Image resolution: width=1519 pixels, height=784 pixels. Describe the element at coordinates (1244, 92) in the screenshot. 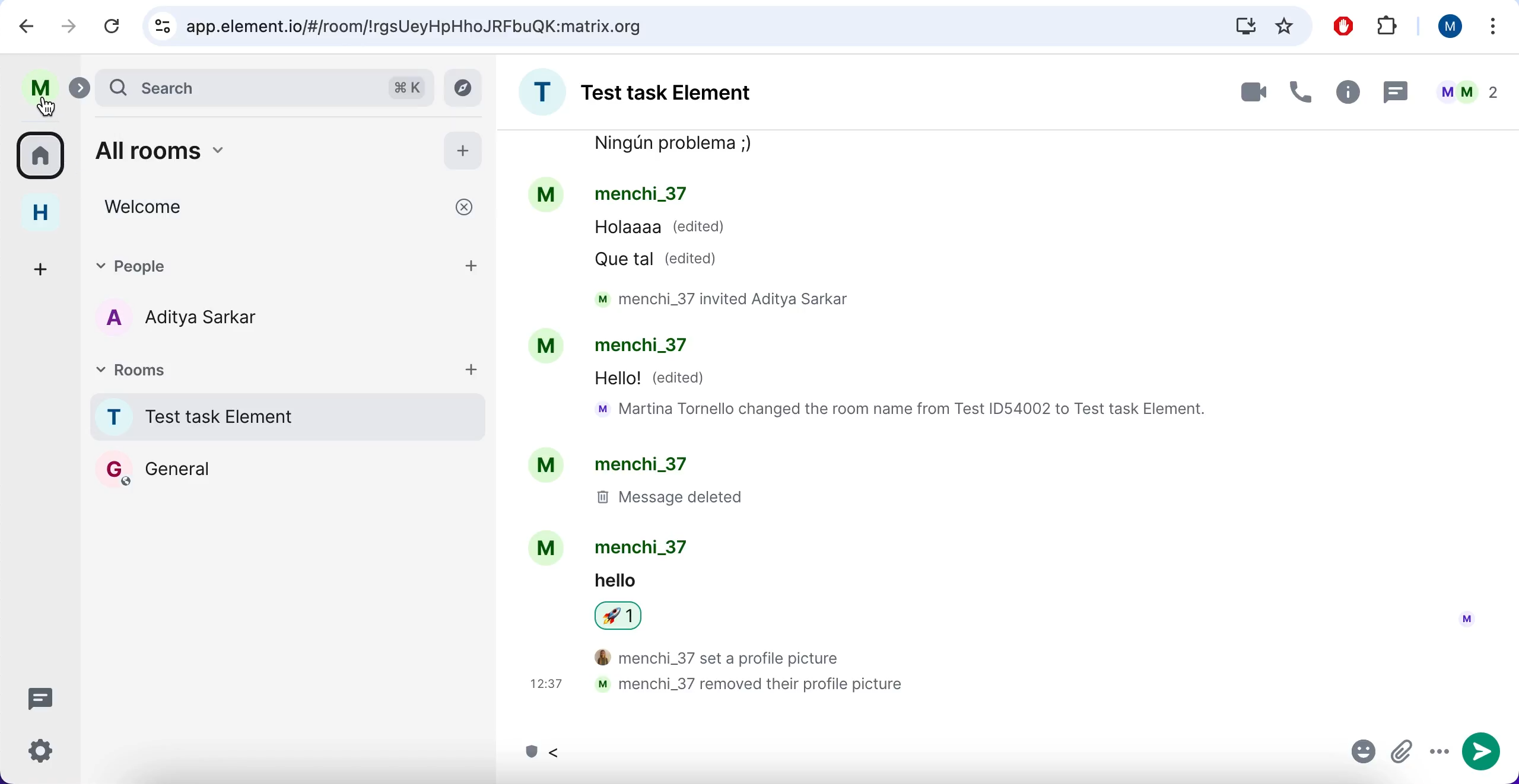

I see `video call` at that location.